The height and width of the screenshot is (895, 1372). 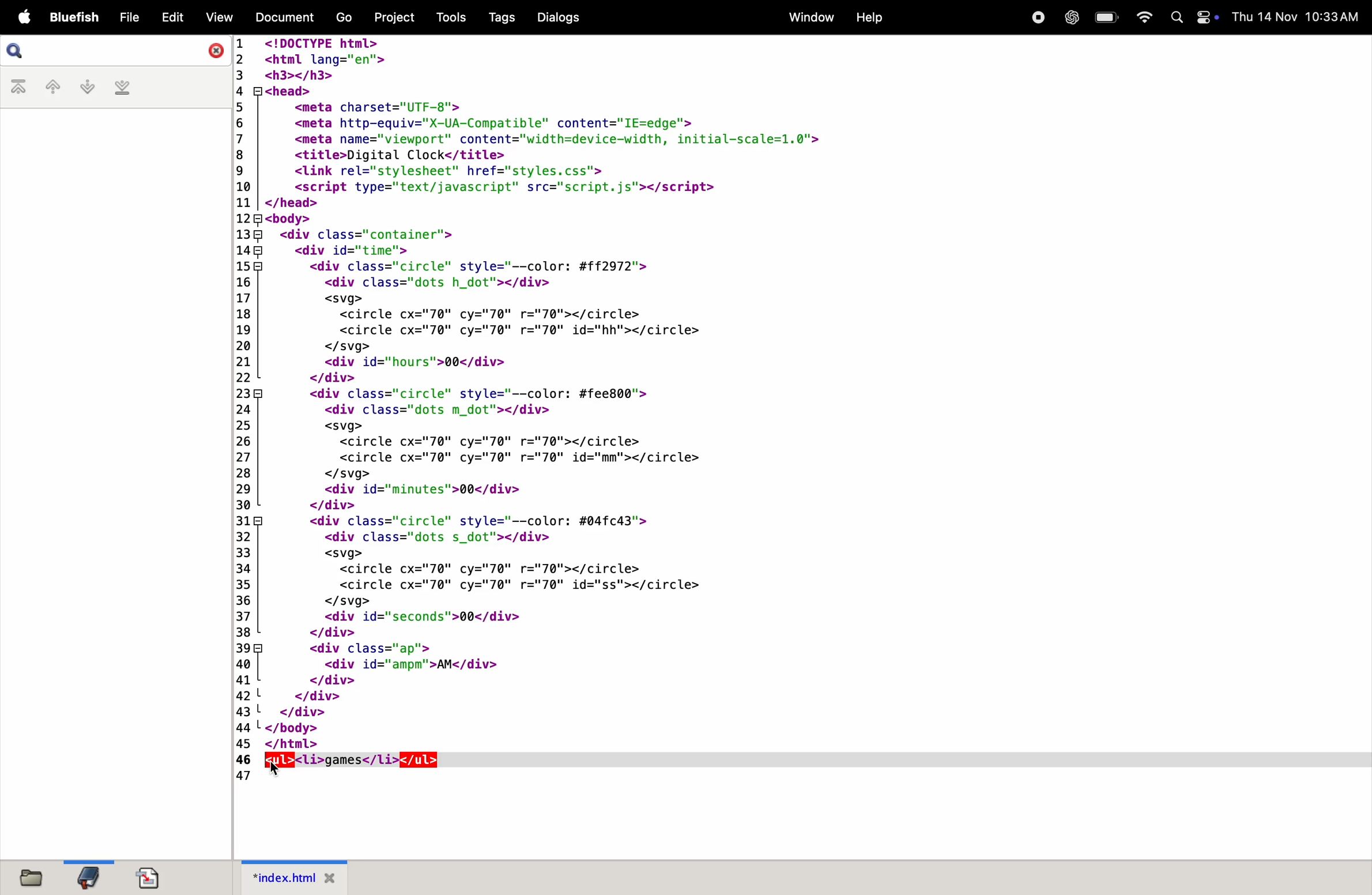 I want to click on Apple menu, so click(x=22, y=16).